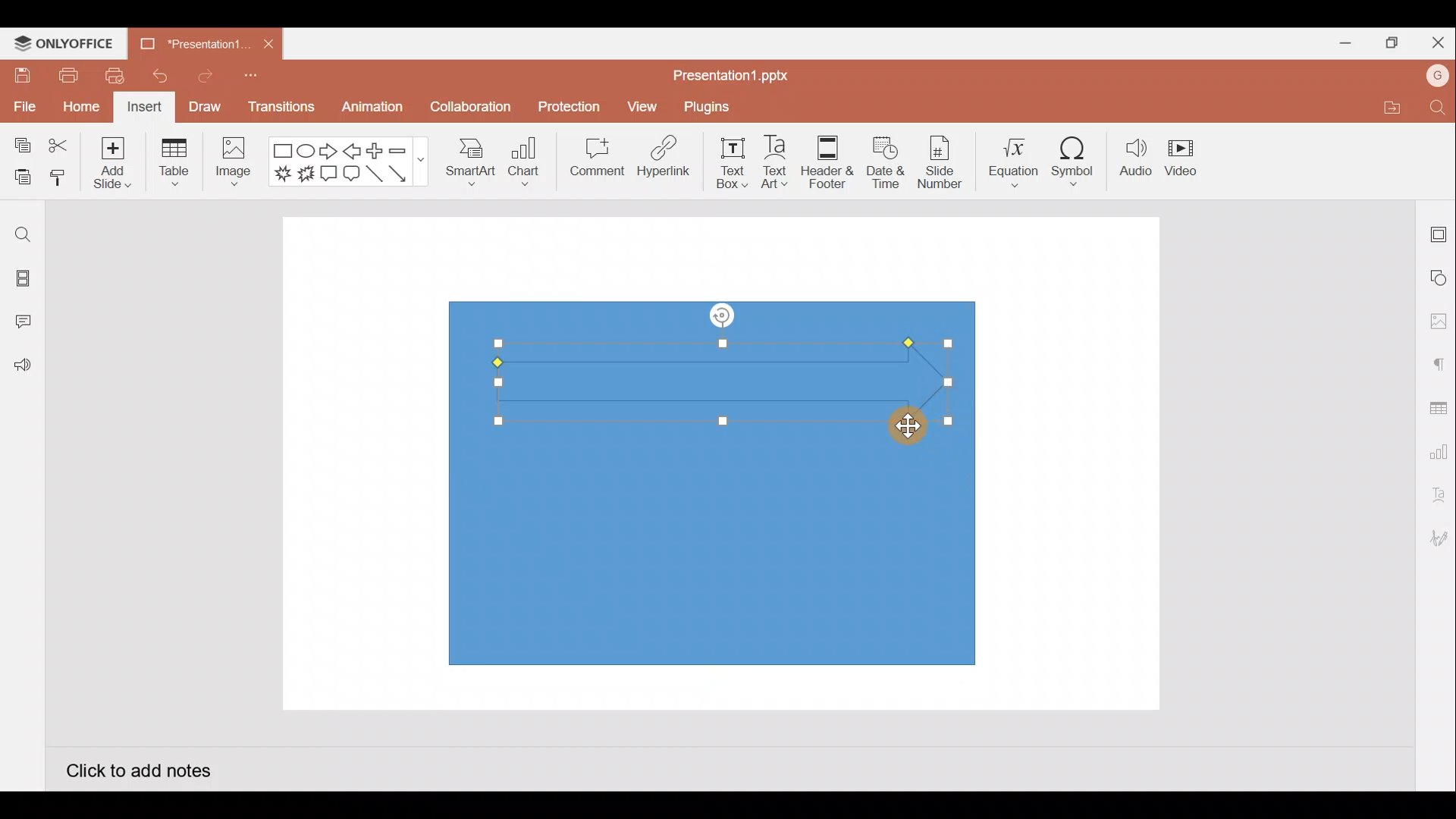 Image resolution: width=1456 pixels, height=819 pixels. I want to click on Transitions, so click(282, 111).